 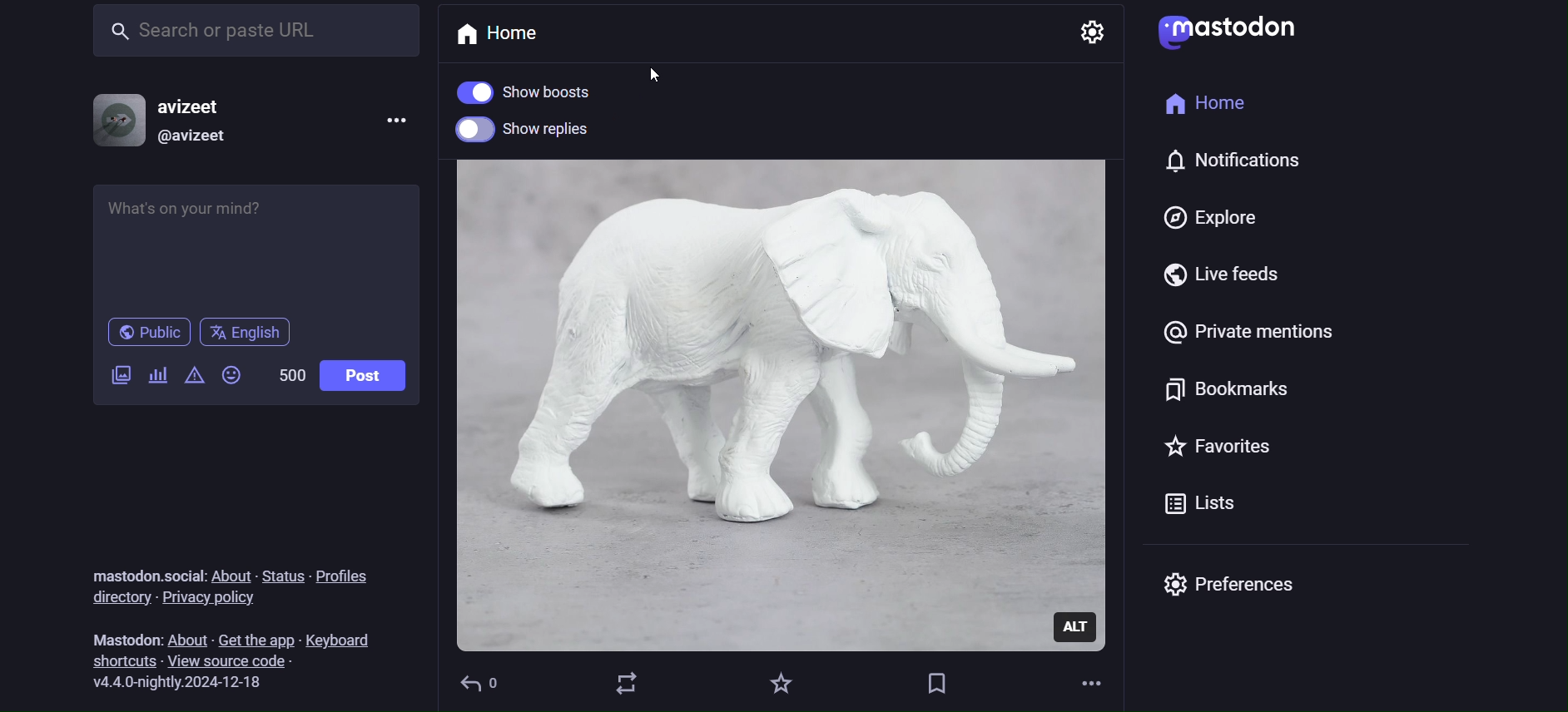 What do you see at coordinates (1208, 108) in the screenshot?
I see `home` at bounding box center [1208, 108].